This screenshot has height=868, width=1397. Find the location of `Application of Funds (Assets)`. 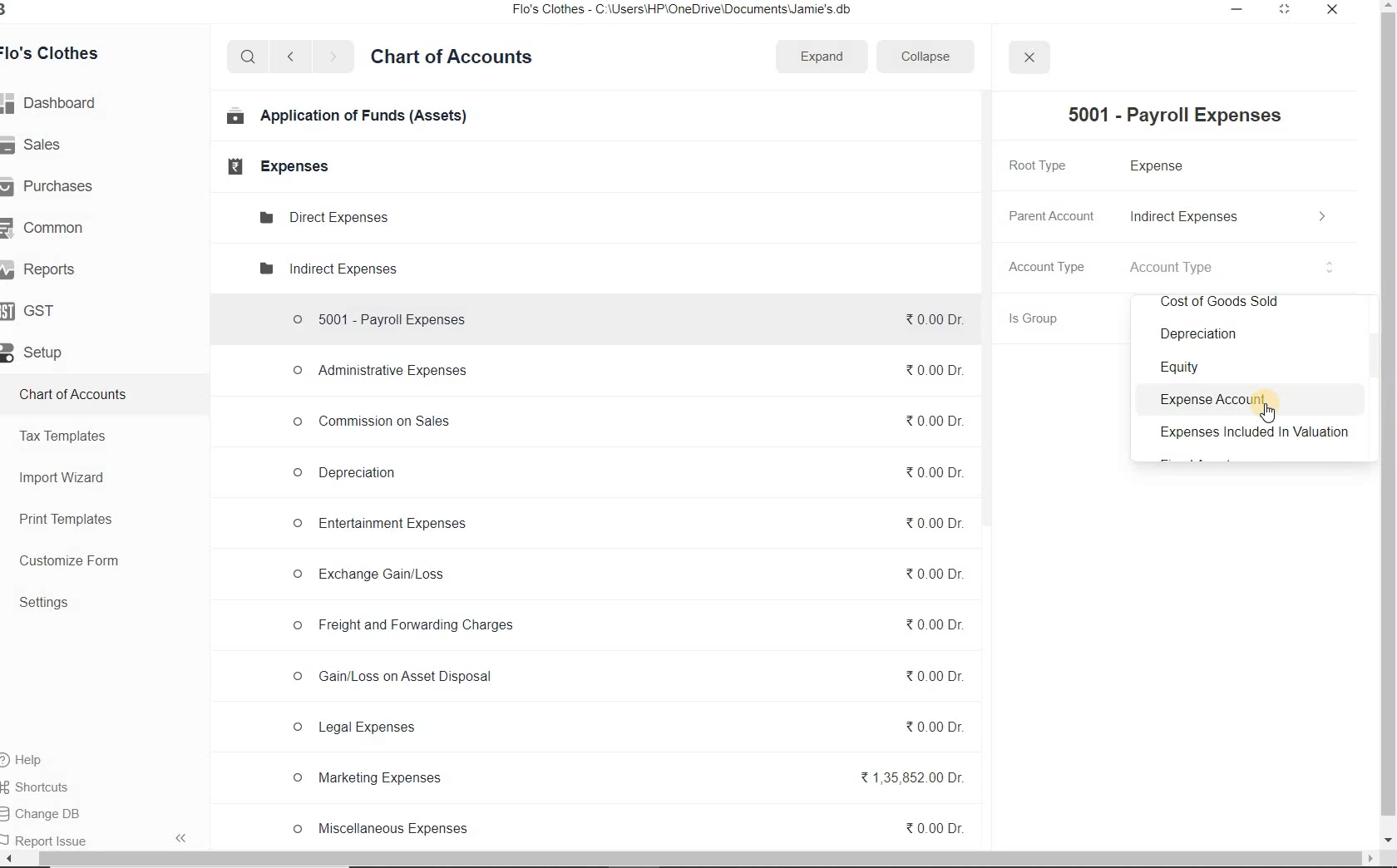

Application of Funds (Assets) is located at coordinates (343, 118).